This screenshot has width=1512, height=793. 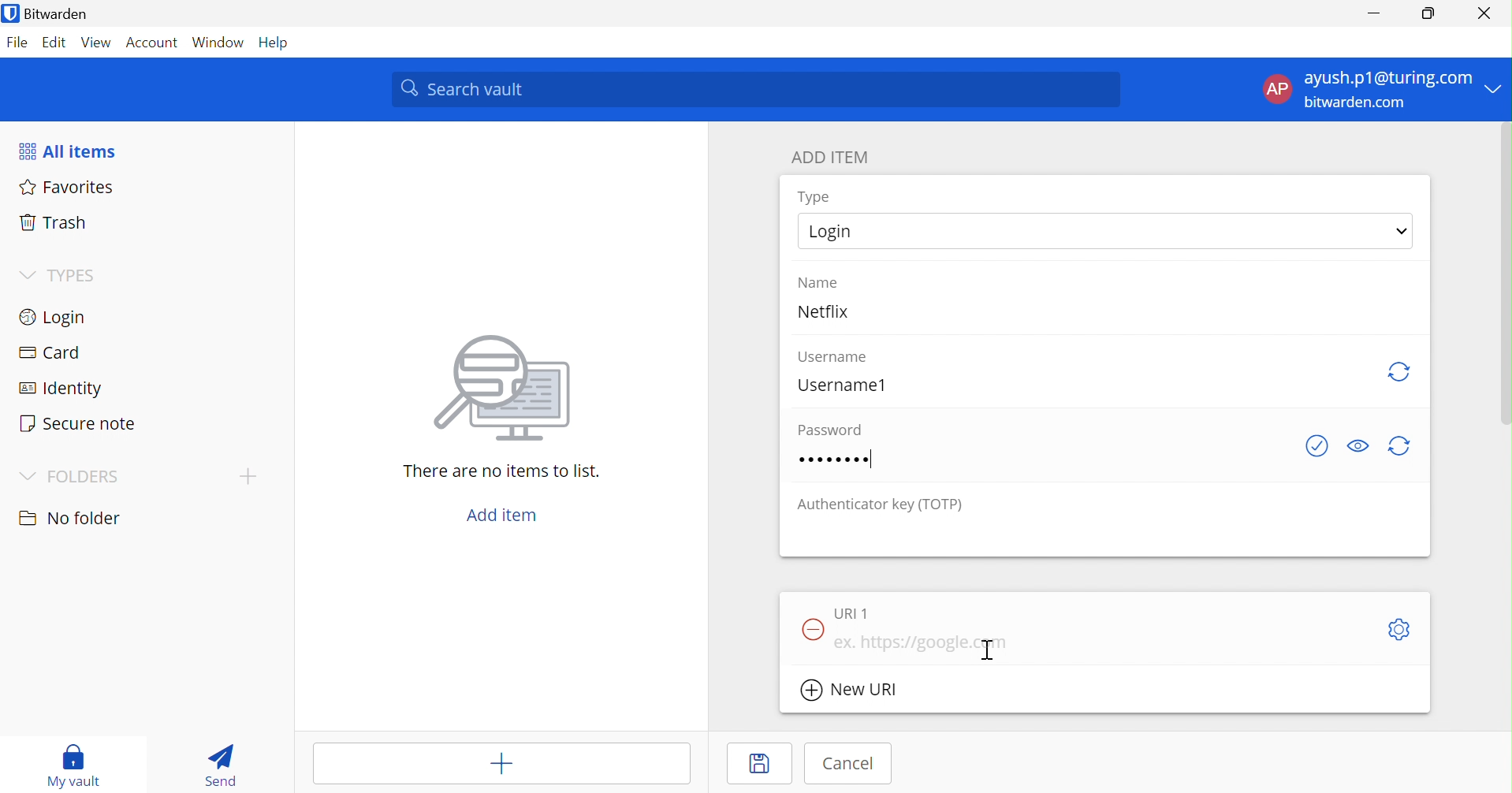 What do you see at coordinates (18, 43) in the screenshot?
I see `File` at bounding box center [18, 43].